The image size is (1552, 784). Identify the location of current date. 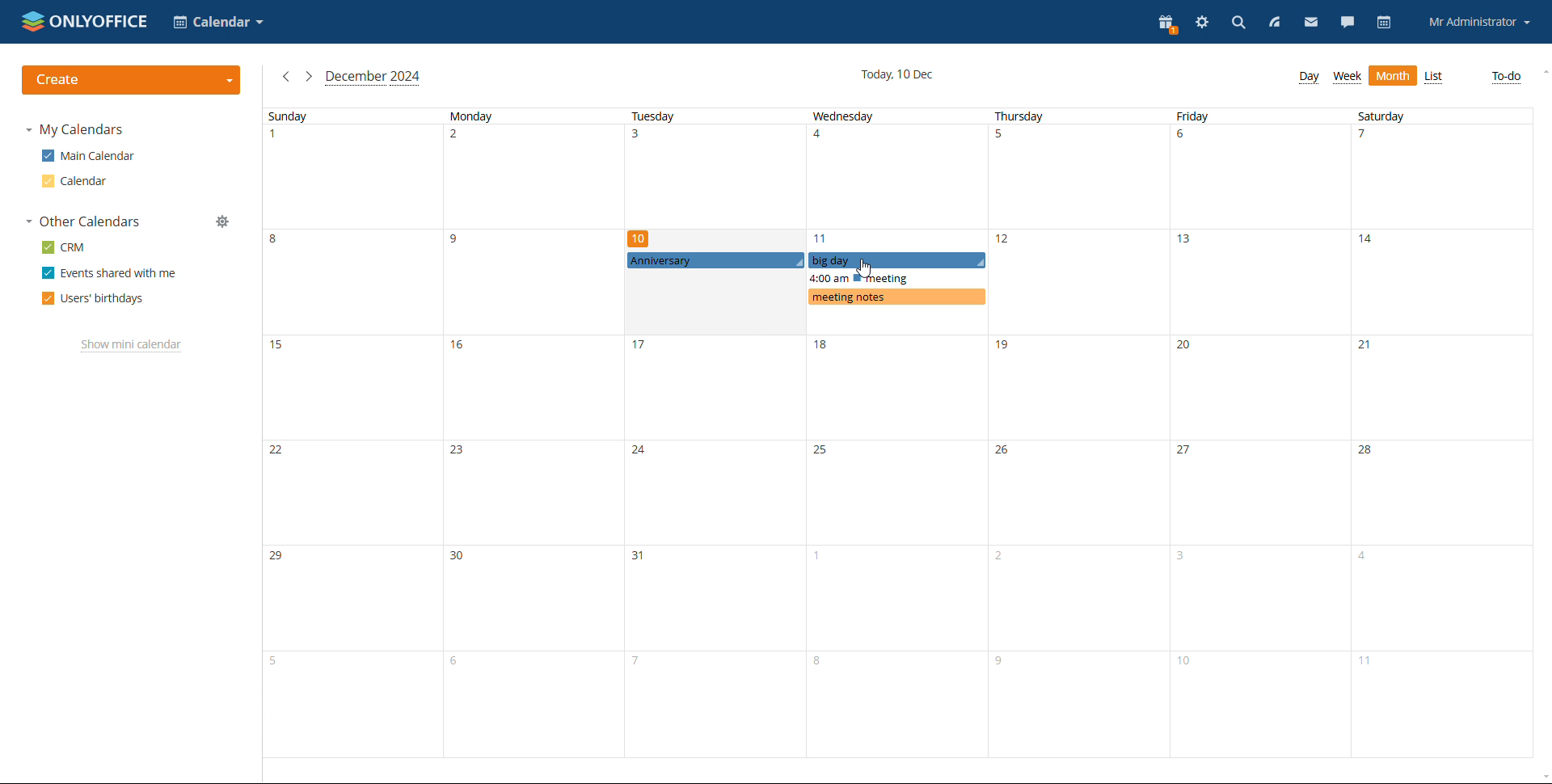
(897, 74).